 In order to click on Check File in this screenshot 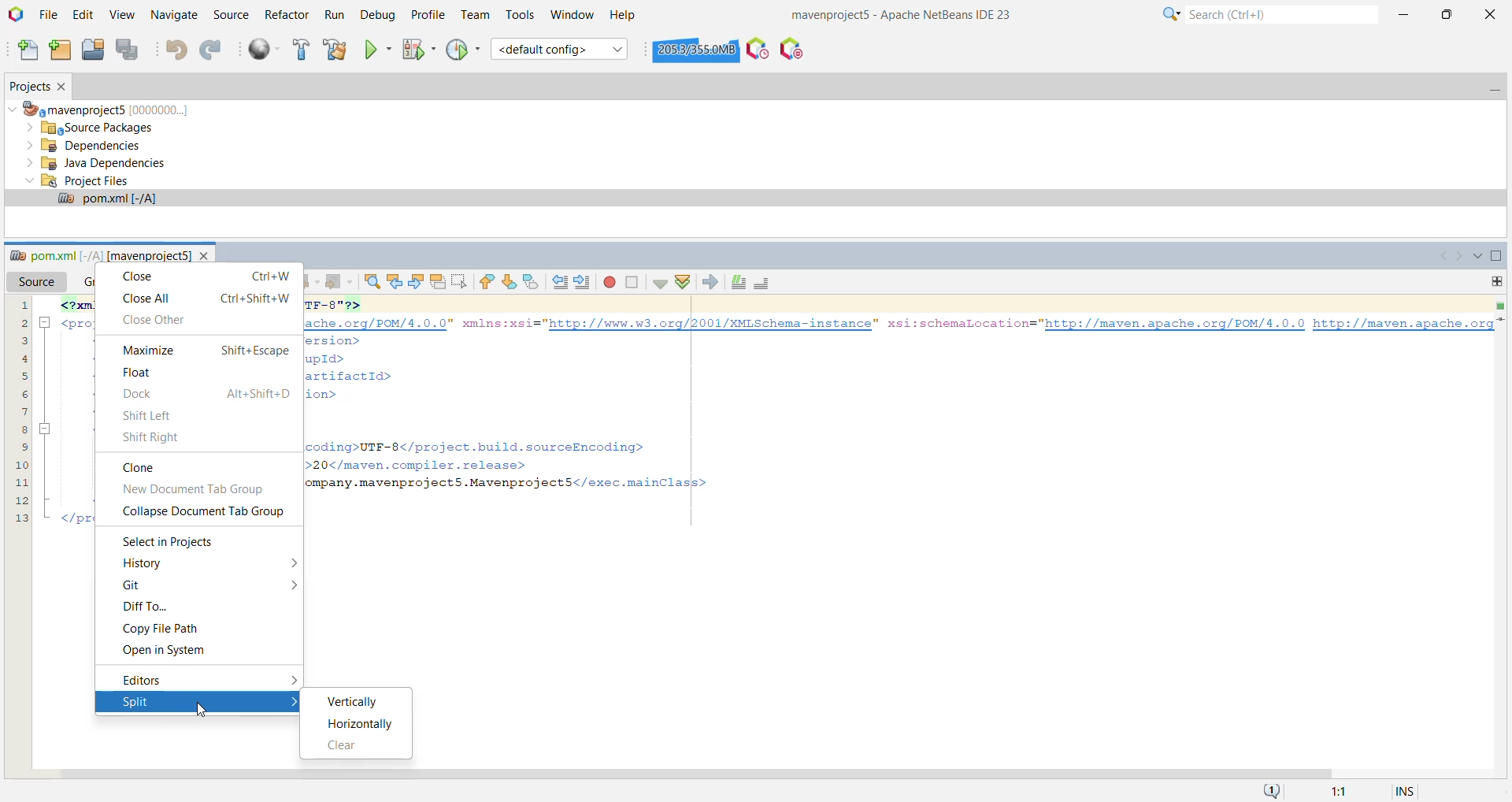, I will do `click(660, 284)`.